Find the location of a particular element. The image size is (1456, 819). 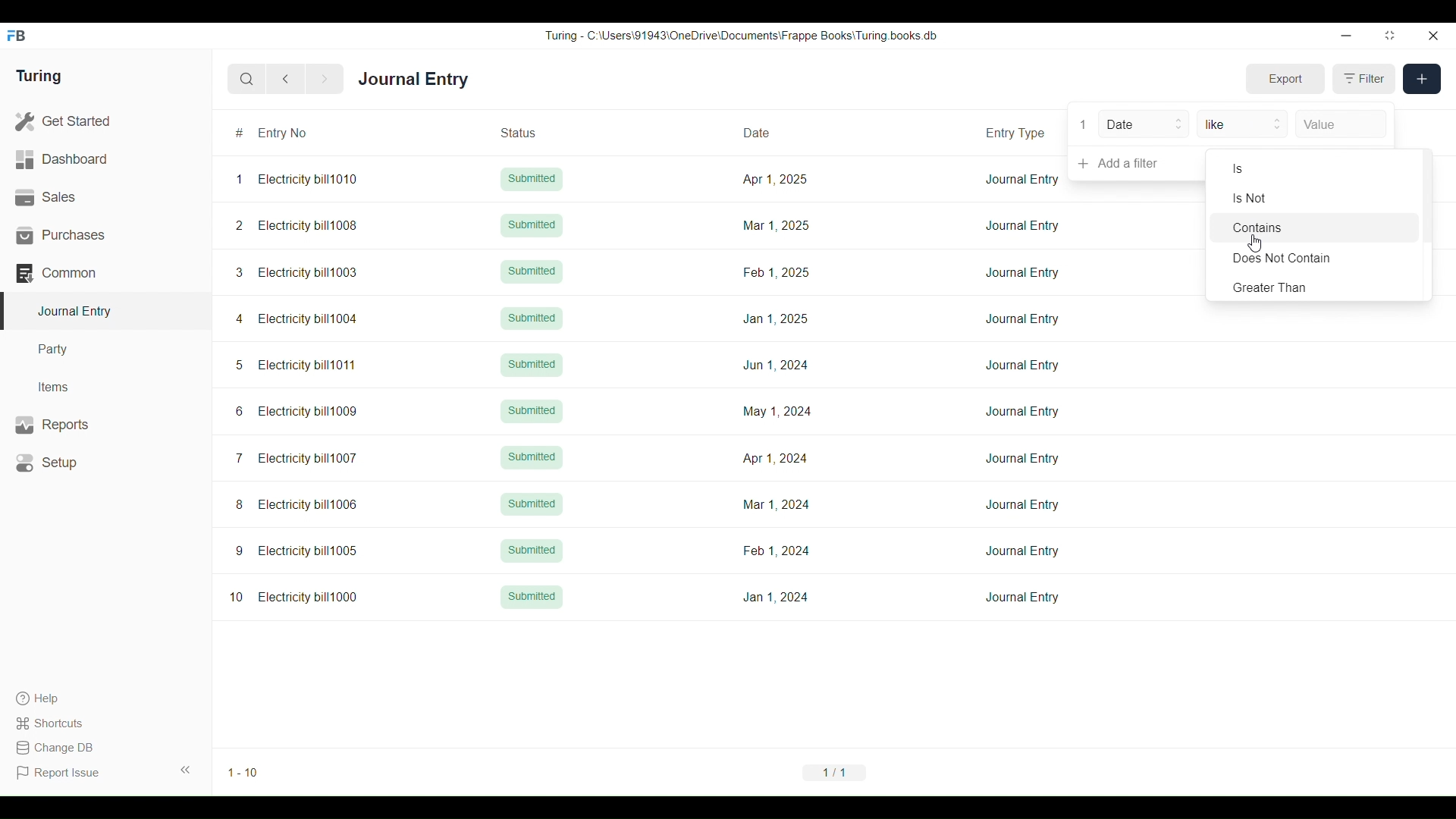

Help is located at coordinates (57, 698).